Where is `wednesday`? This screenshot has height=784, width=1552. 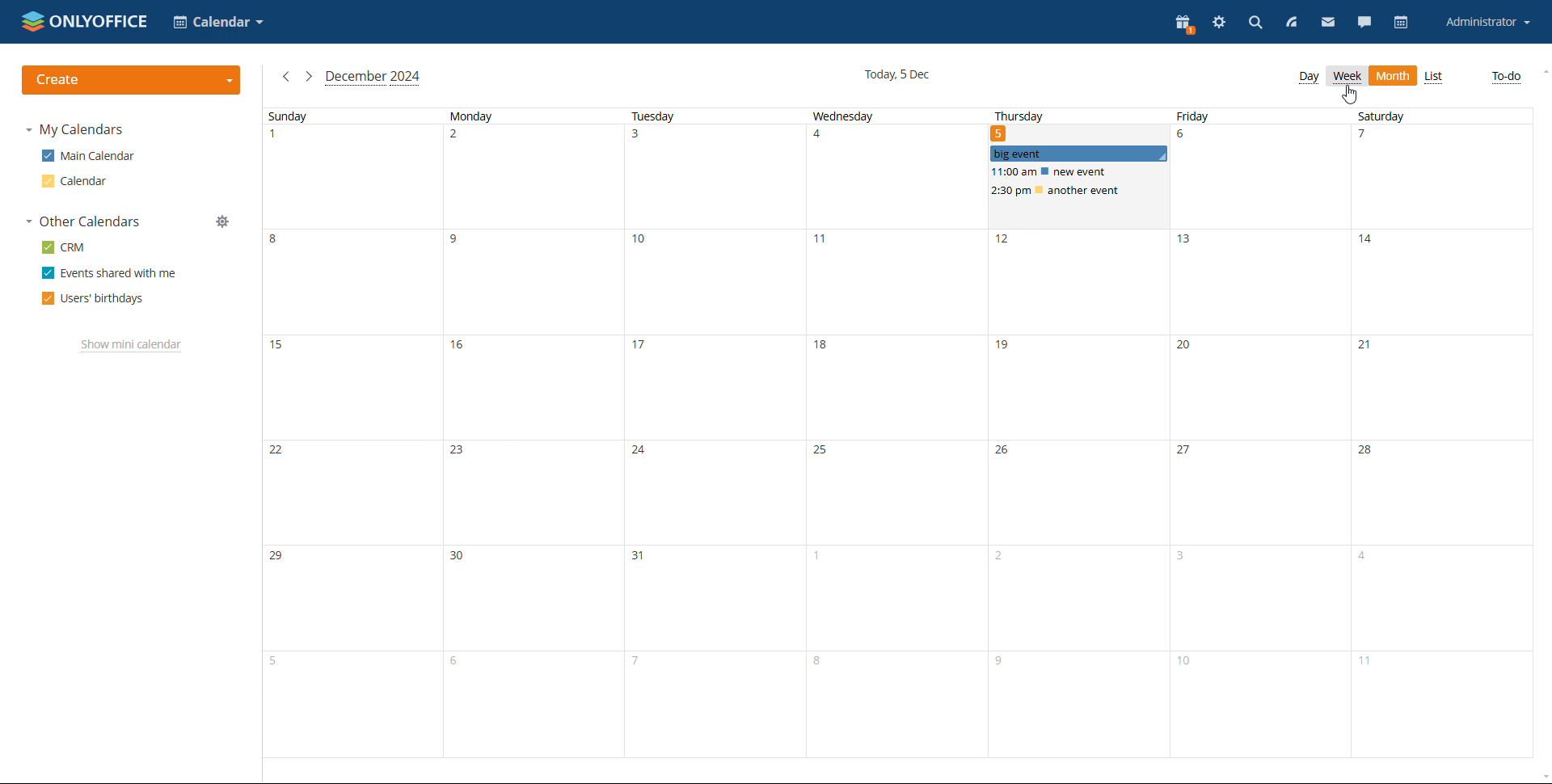 wednesday is located at coordinates (892, 433).